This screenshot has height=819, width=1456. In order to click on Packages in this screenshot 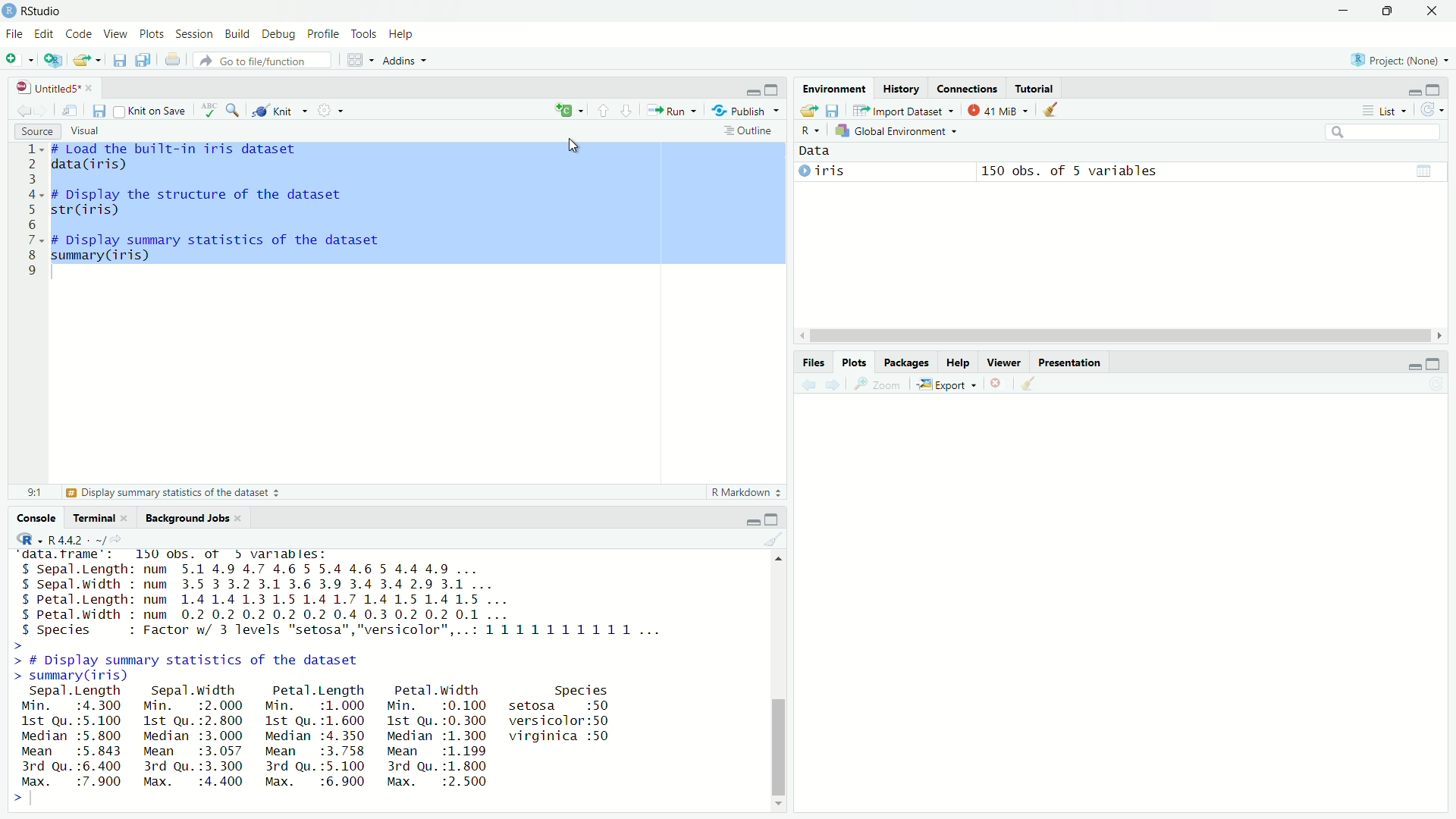, I will do `click(907, 361)`.